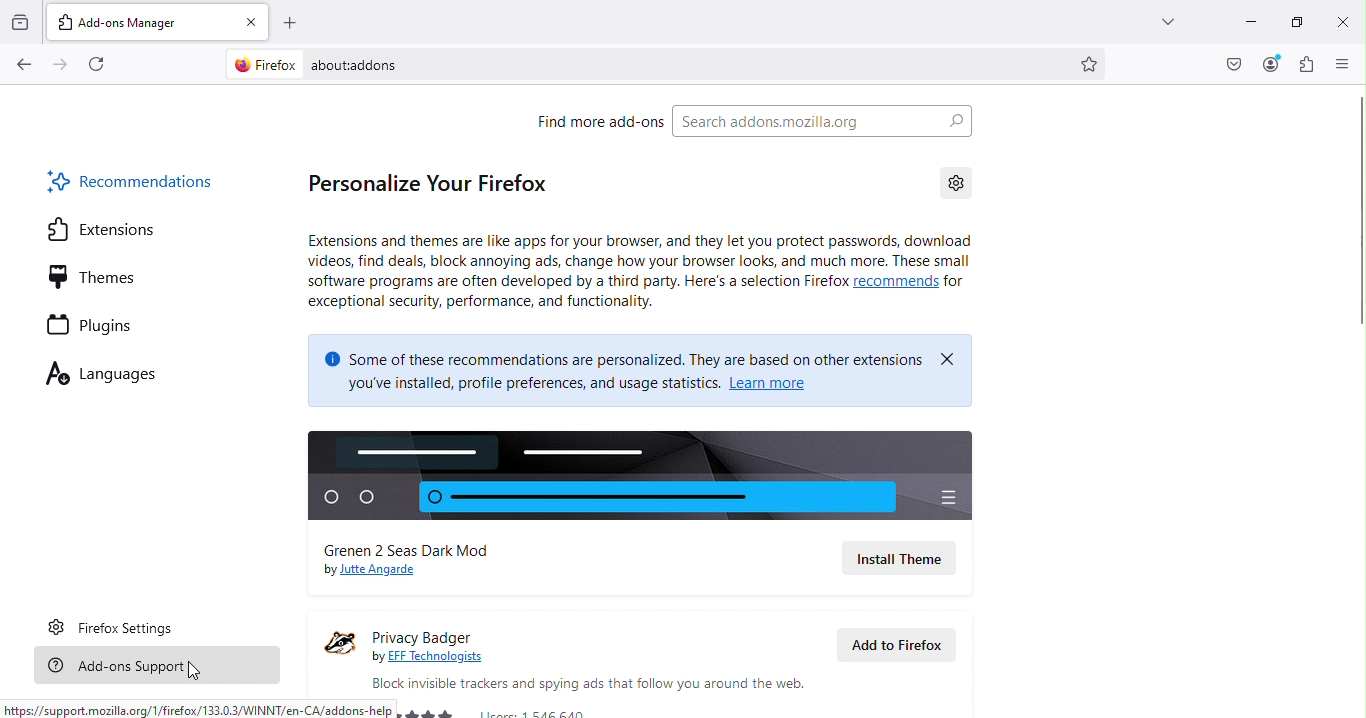 This screenshot has height=718, width=1366. Describe the element at coordinates (419, 186) in the screenshot. I see `Personalize your firefox` at that location.